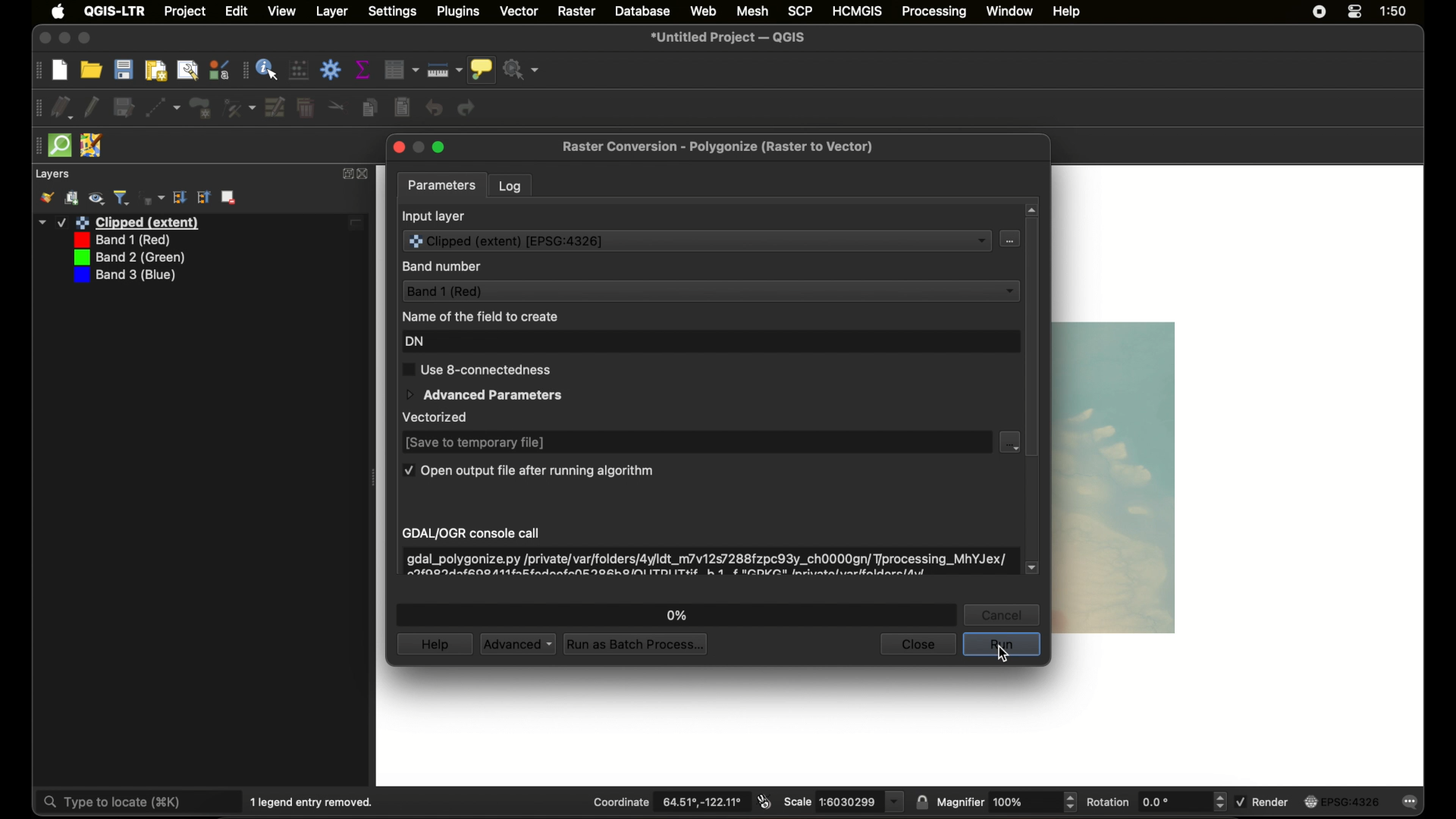 The image size is (1456, 819). Describe the element at coordinates (468, 108) in the screenshot. I see `redo` at that location.